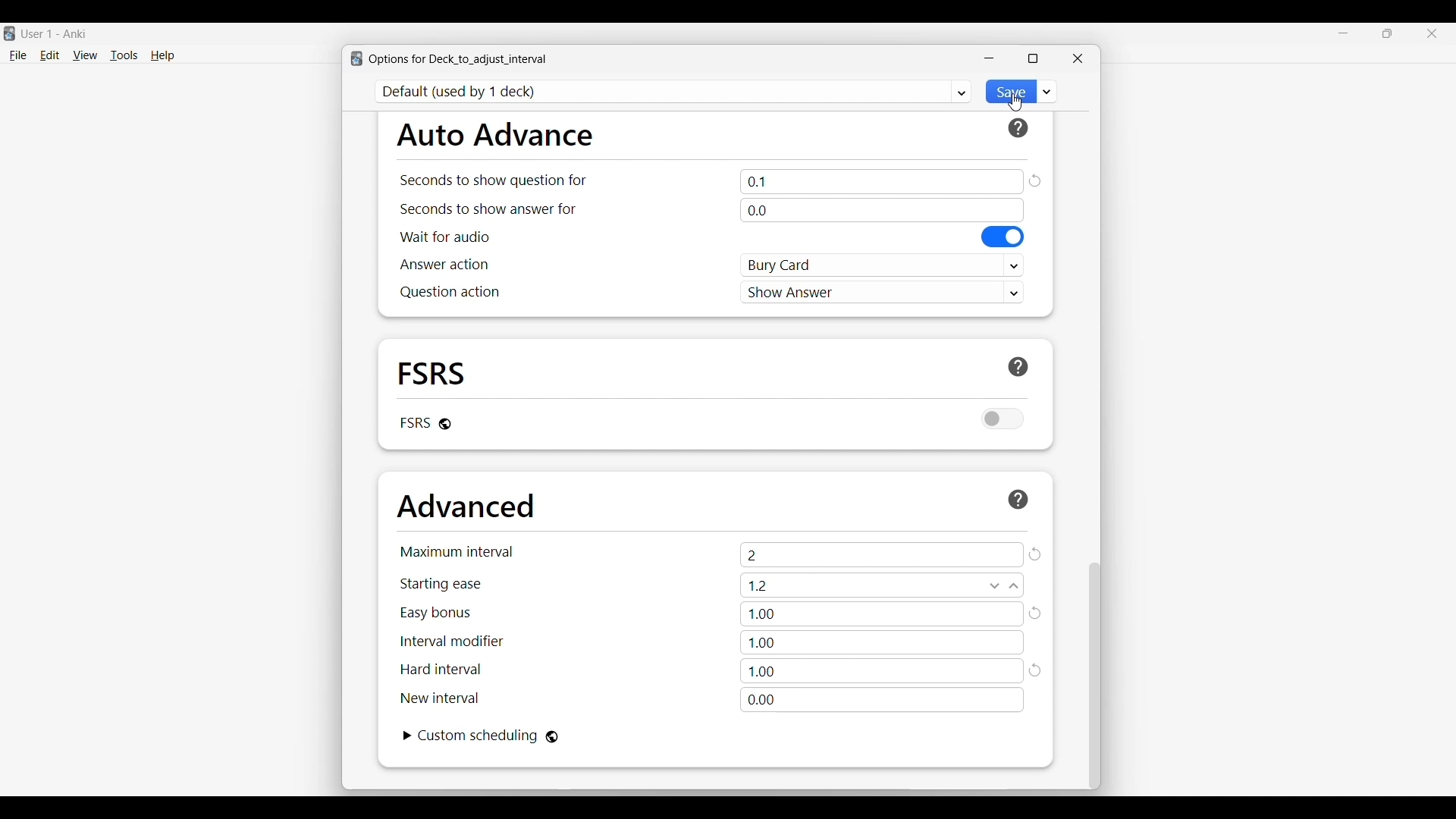 The width and height of the screenshot is (1456, 819). Describe the element at coordinates (1018, 128) in the screenshot. I see `Learn more about respective section` at that location.